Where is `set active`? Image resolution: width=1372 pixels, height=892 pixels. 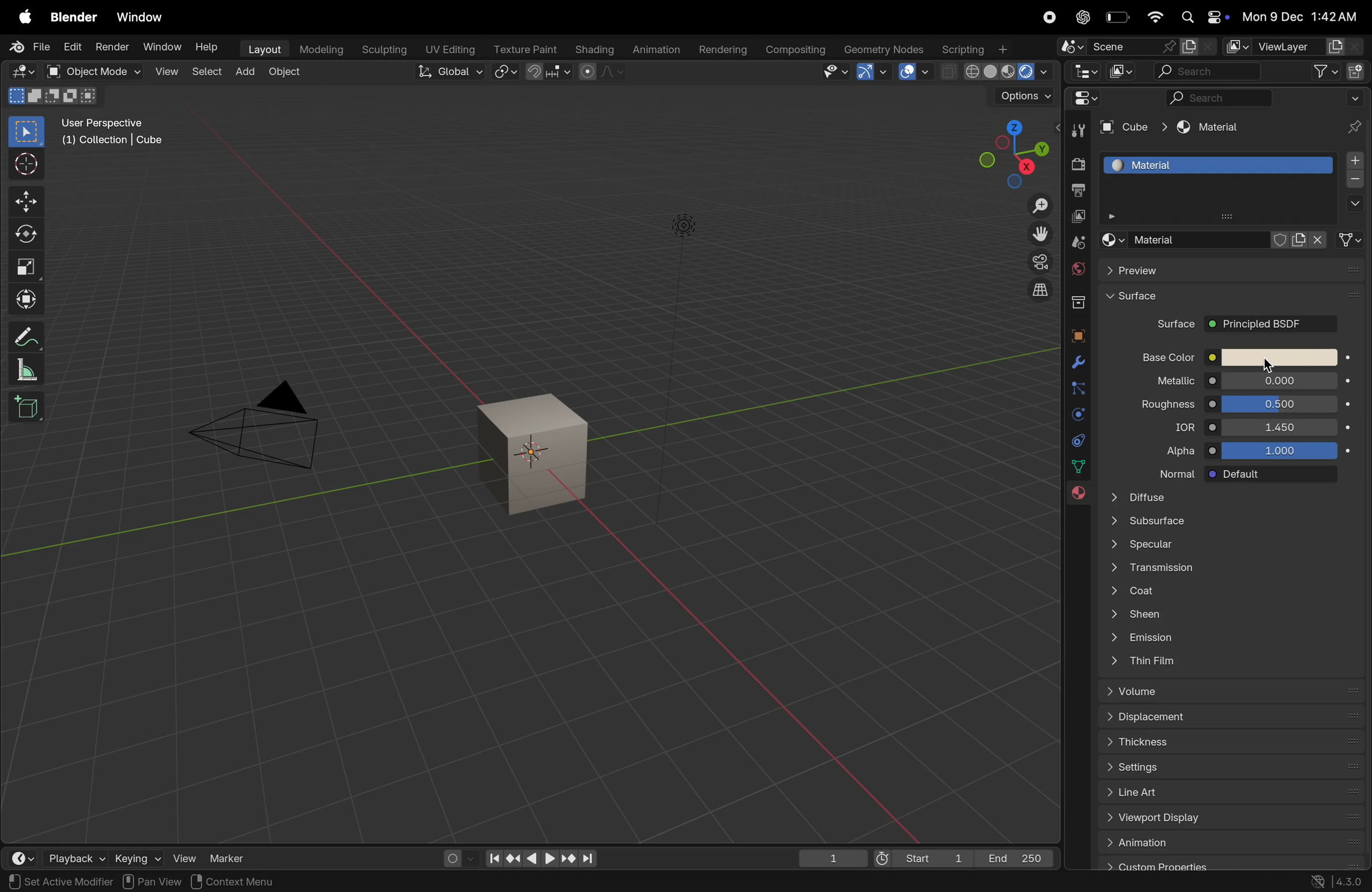
set active is located at coordinates (36, 880).